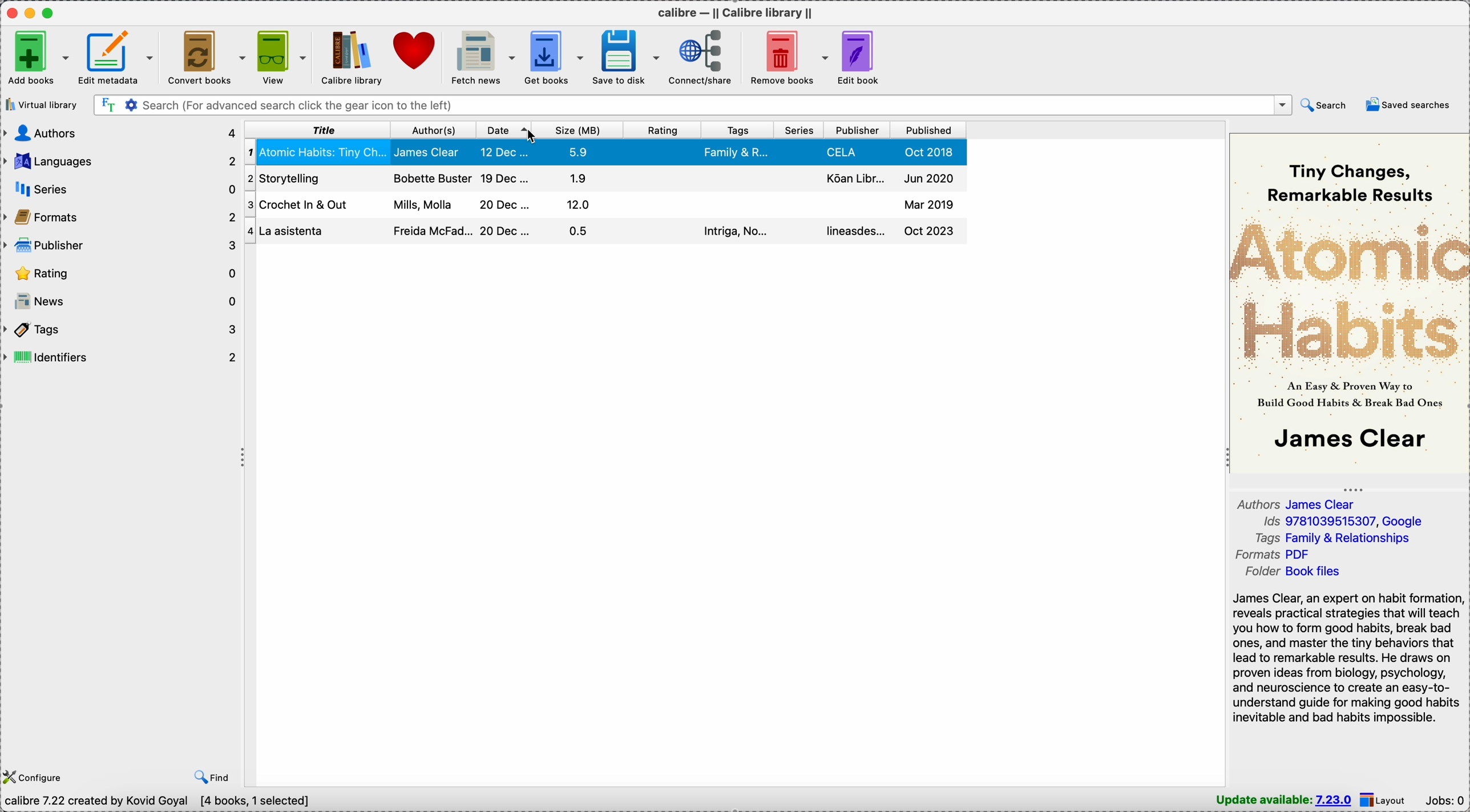 This screenshot has width=1470, height=812. Describe the element at coordinates (1350, 304) in the screenshot. I see `book cover preview` at that location.